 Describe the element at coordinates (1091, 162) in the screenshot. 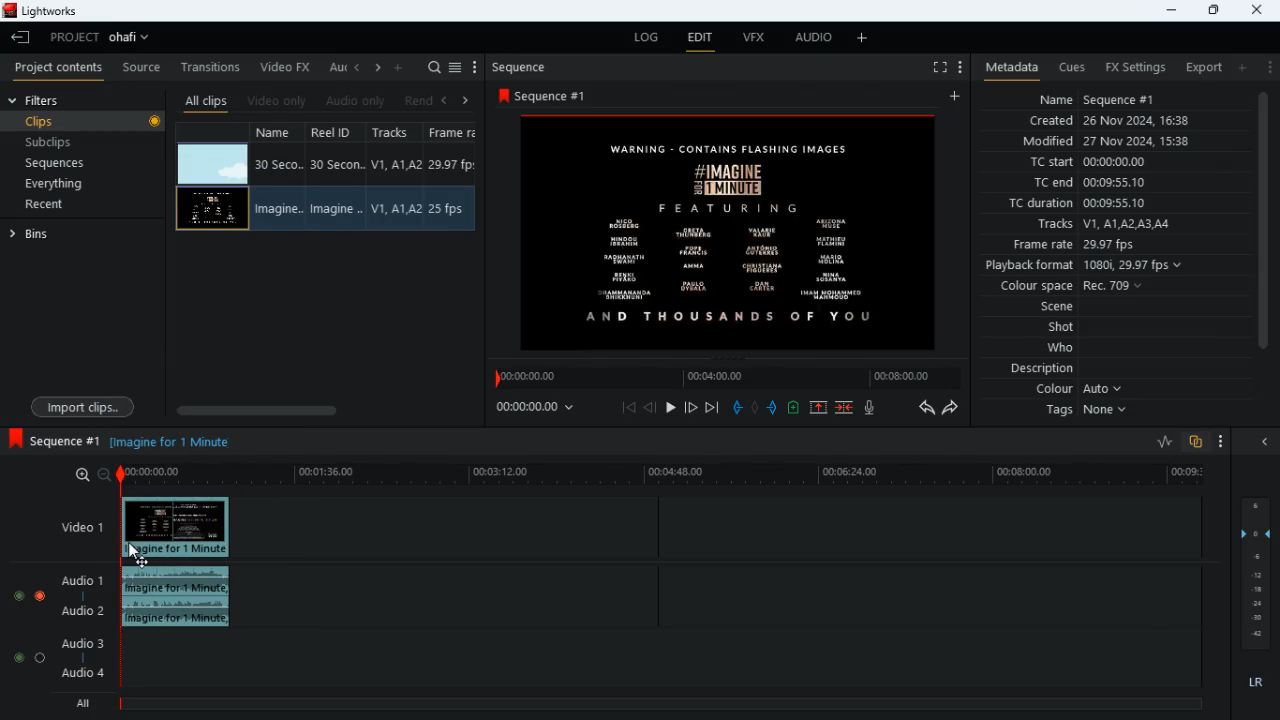

I see `tc start` at that location.